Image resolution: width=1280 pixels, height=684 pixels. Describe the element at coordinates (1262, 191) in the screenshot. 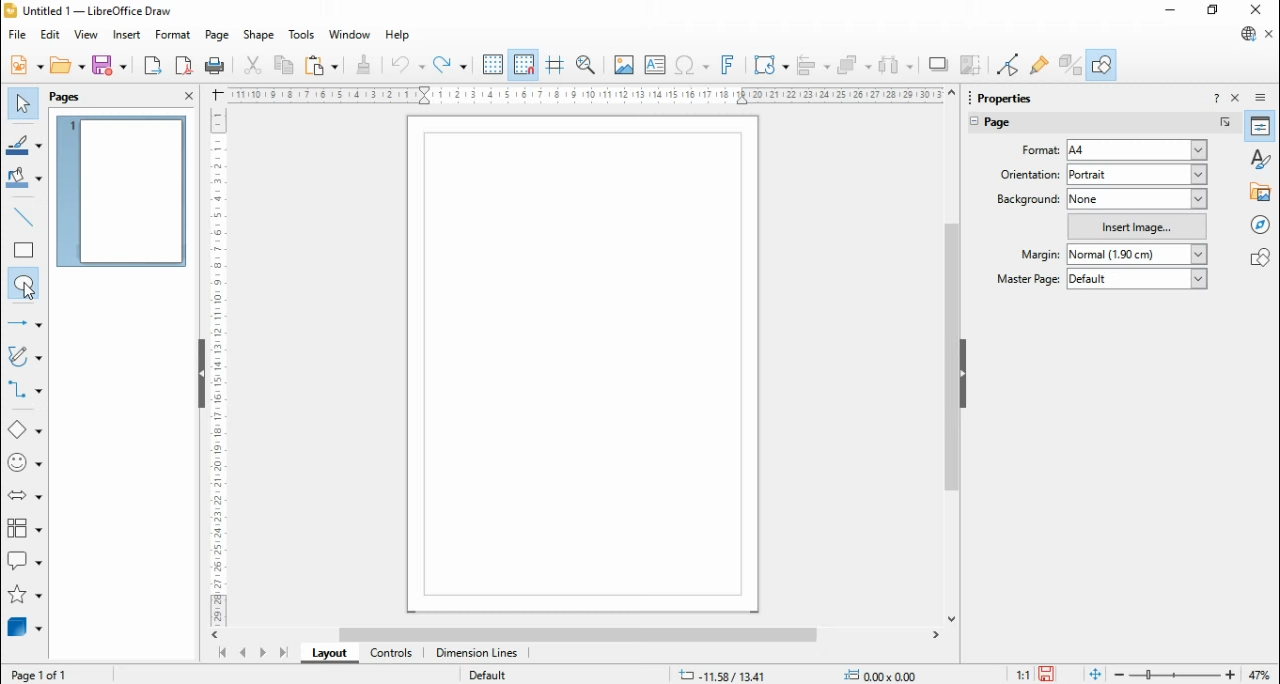

I see `gallery` at that location.